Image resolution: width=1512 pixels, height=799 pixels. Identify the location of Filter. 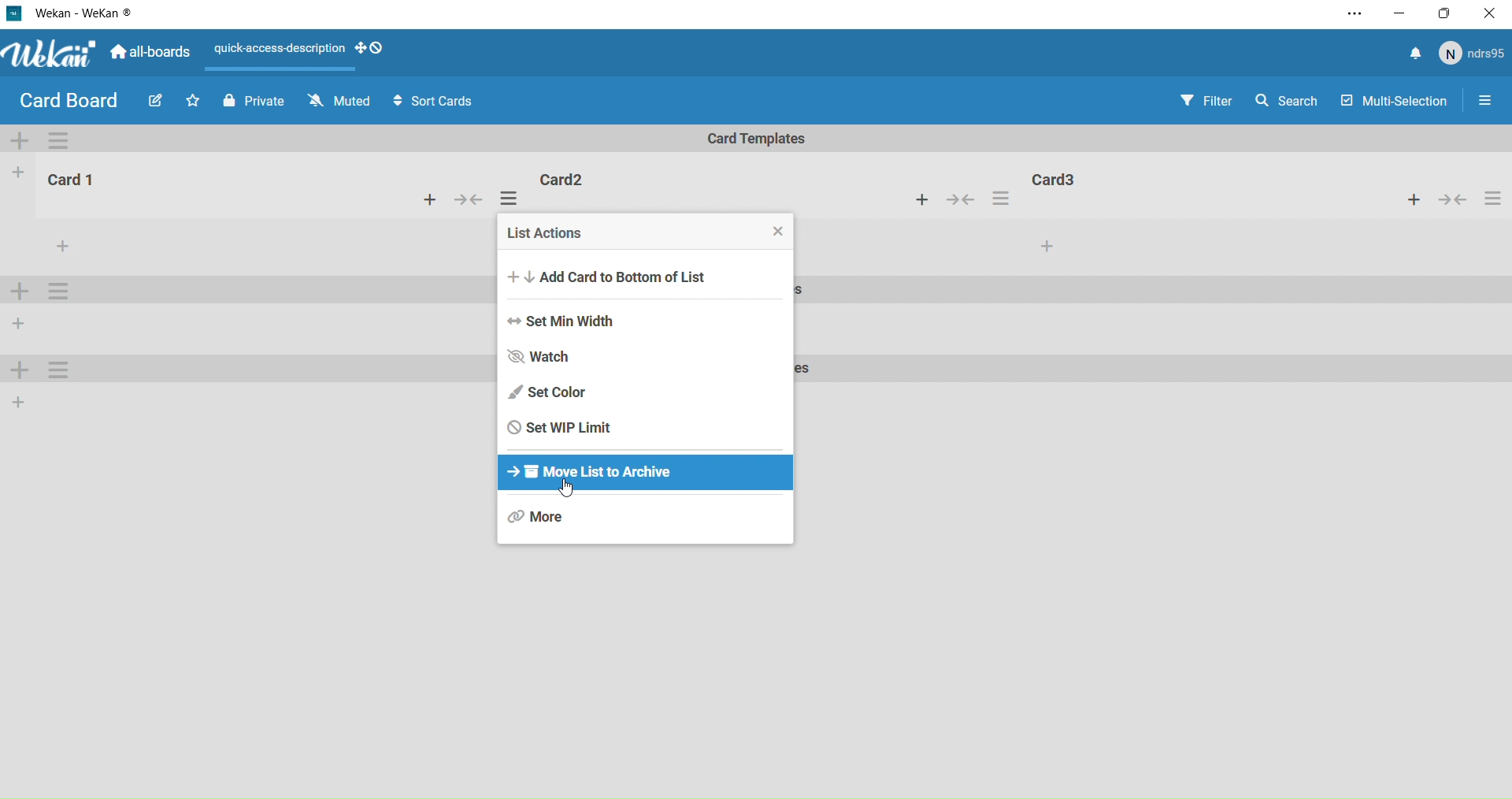
(1206, 102).